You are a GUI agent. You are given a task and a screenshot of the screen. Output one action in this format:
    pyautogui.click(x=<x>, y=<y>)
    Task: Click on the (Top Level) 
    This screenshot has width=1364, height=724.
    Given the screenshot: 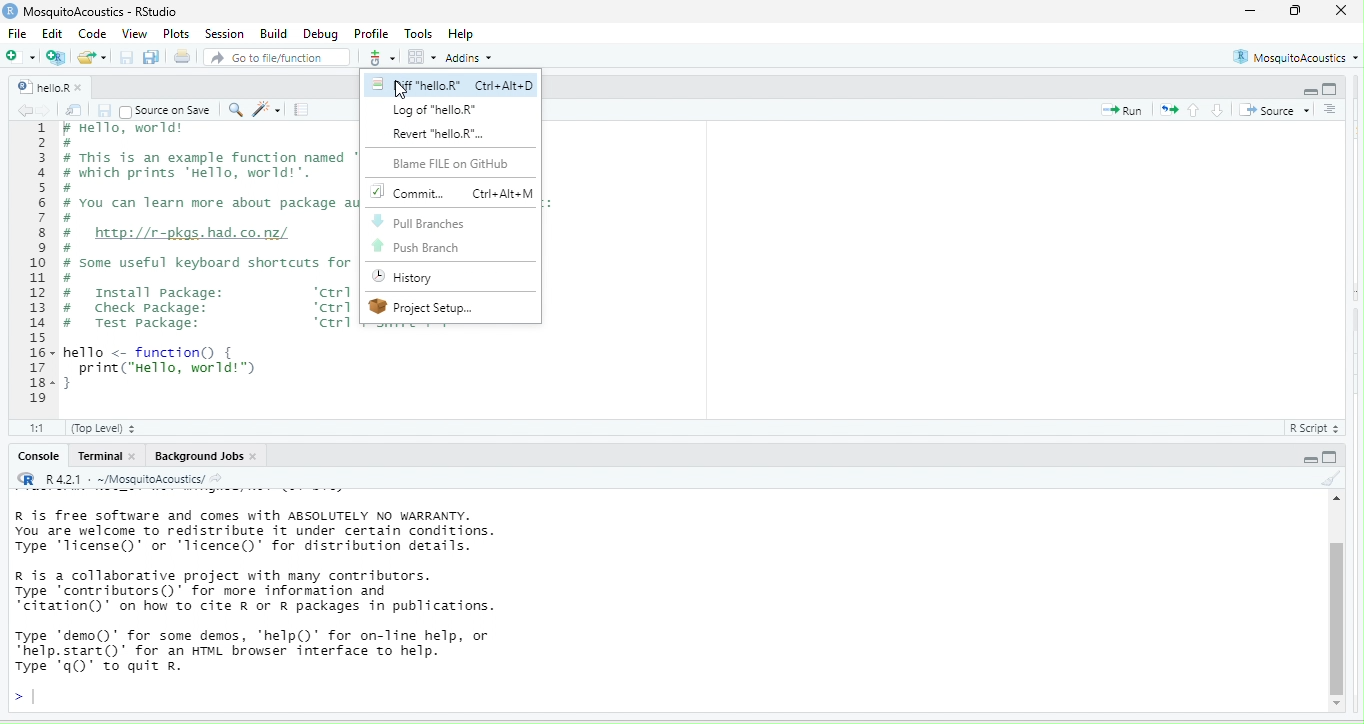 What is the action you would take?
    pyautogui.click(x=106, y=430)
    